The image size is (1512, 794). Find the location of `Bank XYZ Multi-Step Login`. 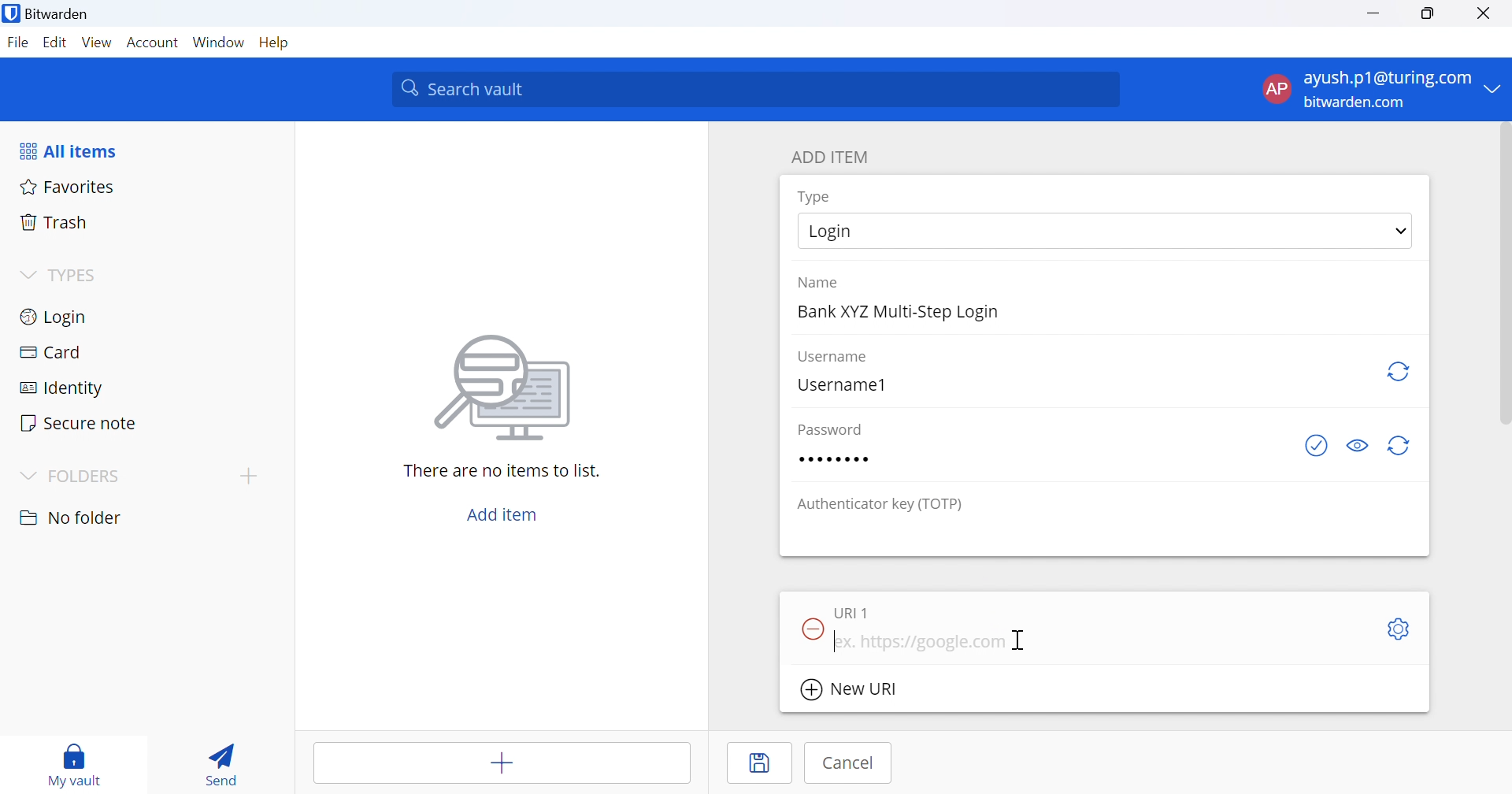

Bank XYZ Multi-Step Login is located at coordinates (900, 313).